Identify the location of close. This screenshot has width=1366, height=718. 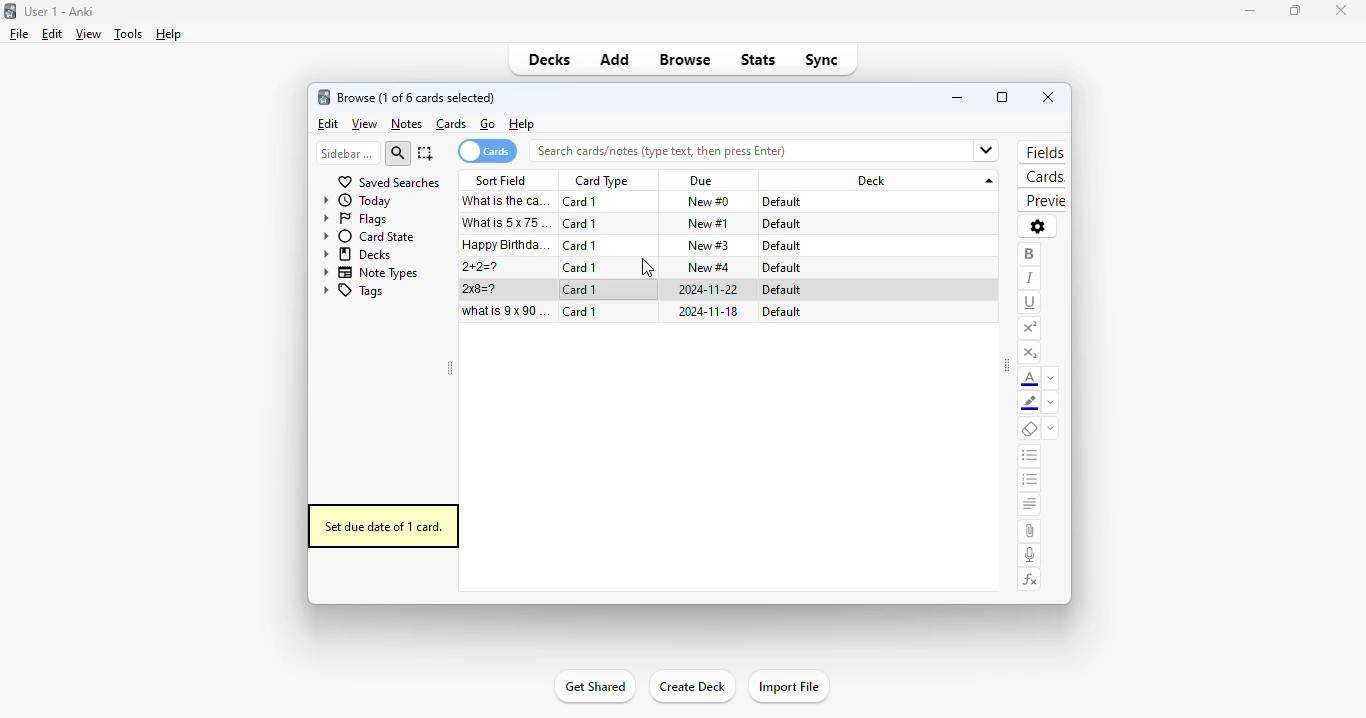
(1048, 97).